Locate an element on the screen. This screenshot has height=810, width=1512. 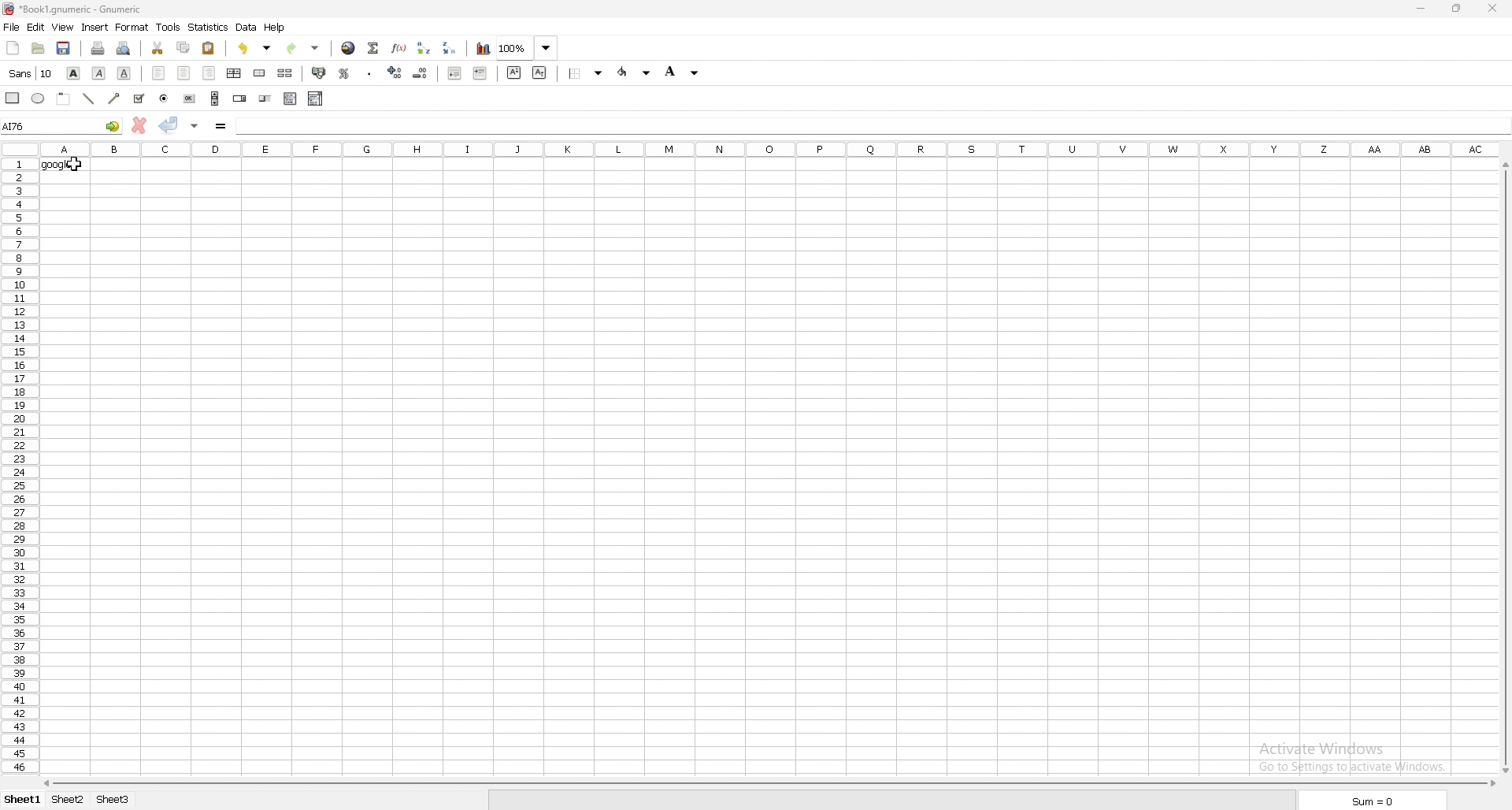
cursor is located at coordinates (77, 167).